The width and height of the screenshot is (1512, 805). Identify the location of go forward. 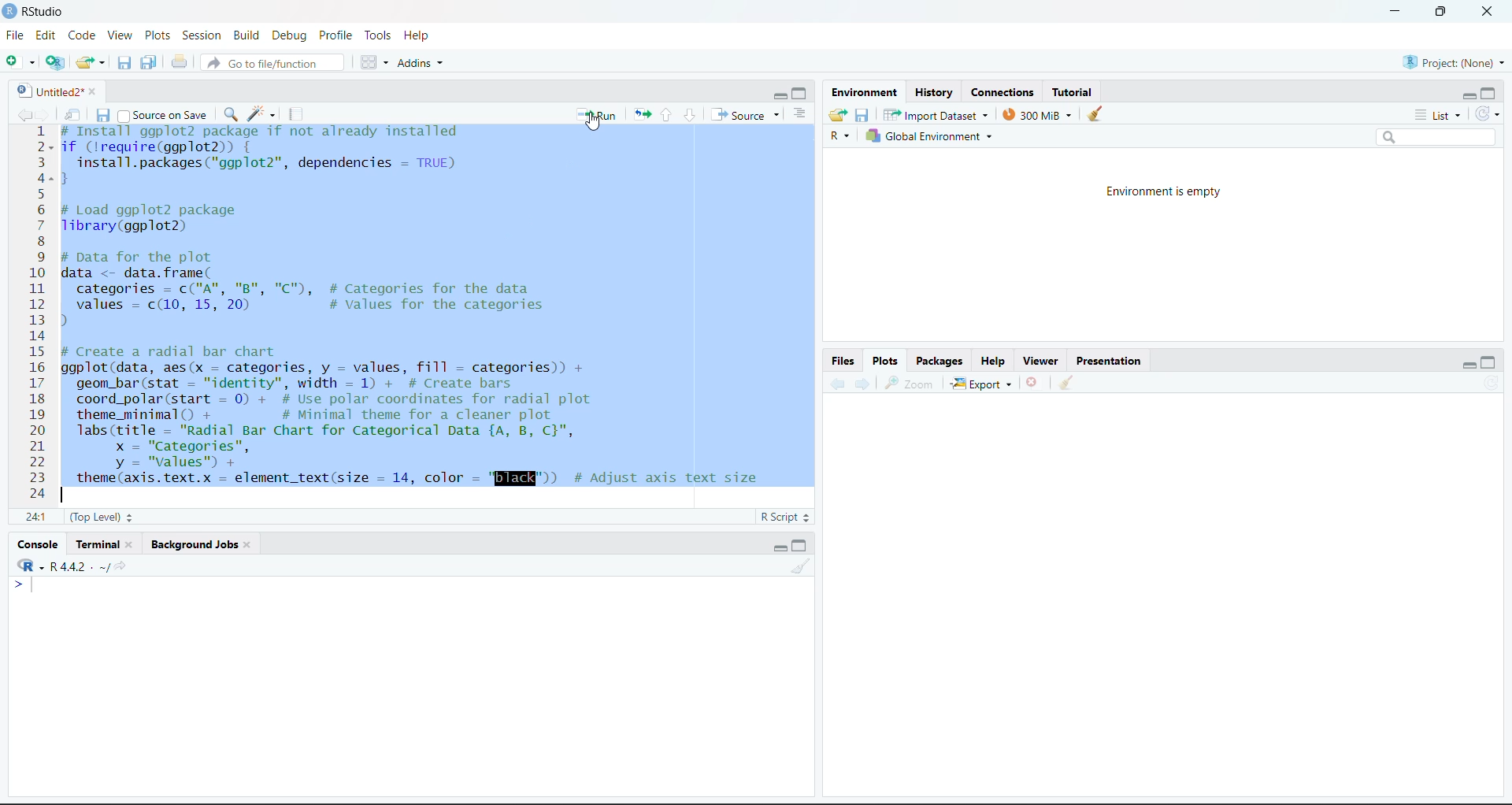
(864, 386).